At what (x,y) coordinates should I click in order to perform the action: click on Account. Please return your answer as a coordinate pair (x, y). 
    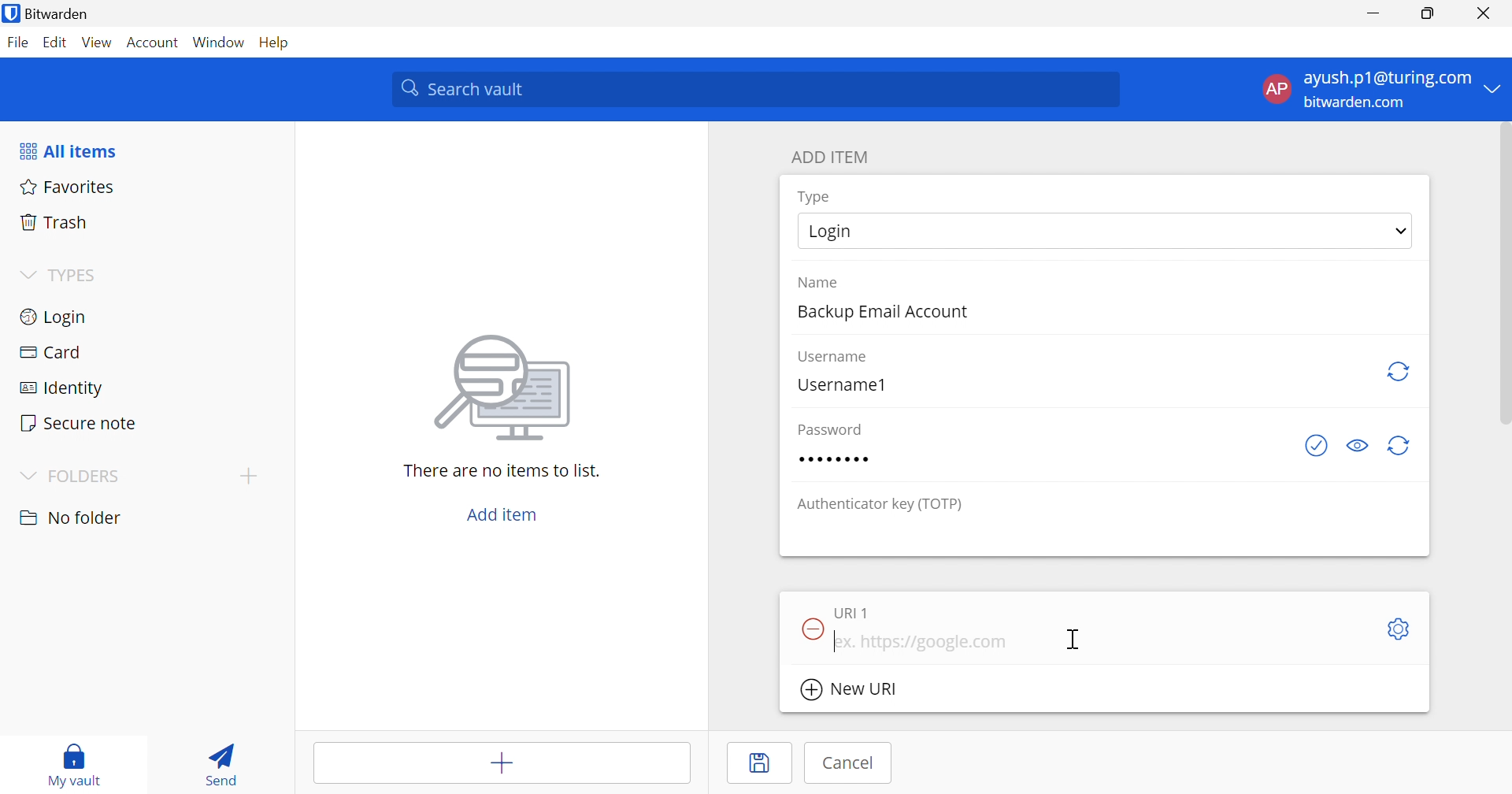
    Looking at the image, I should click on (154, 40).